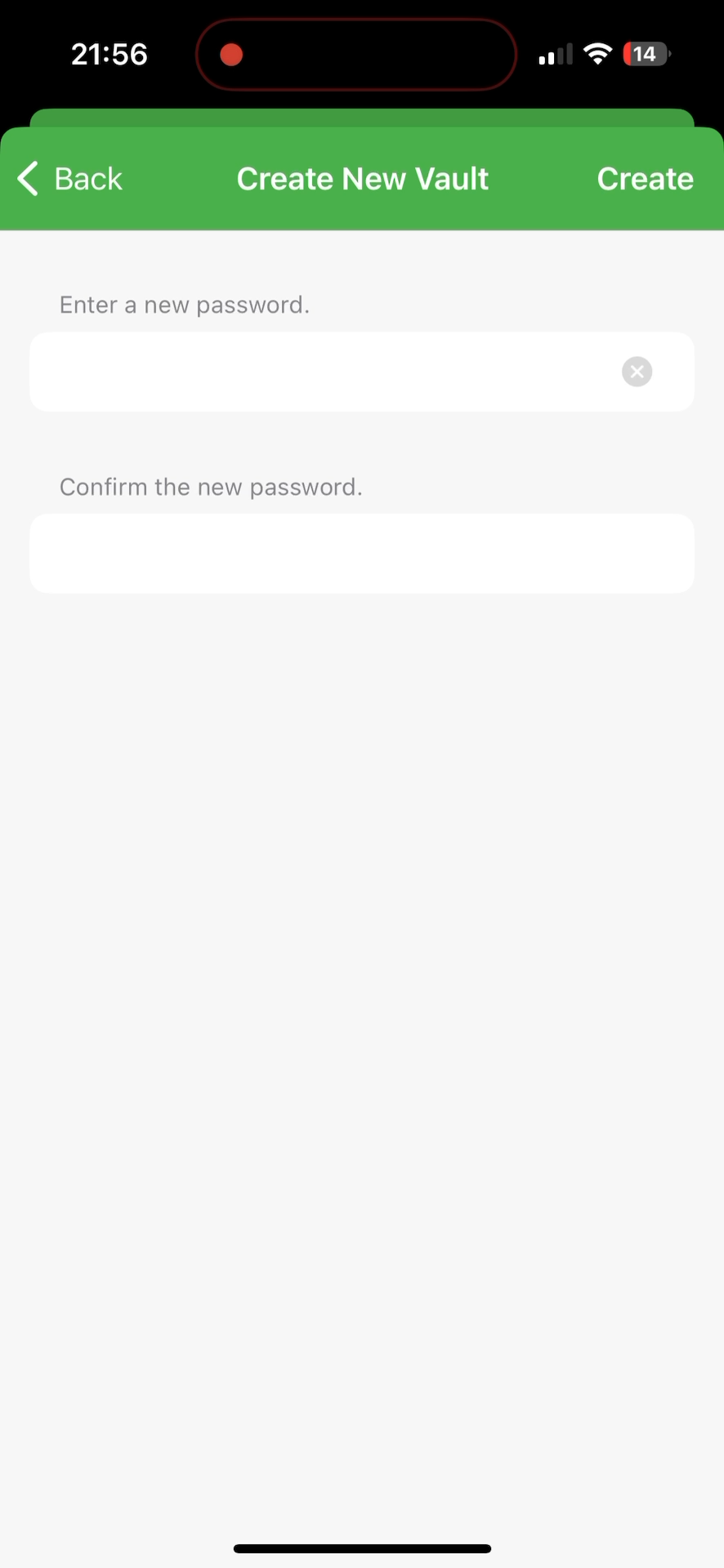 This screenshot has width=724, height=1568. I want to click on enter a new password, so click(184, 299).